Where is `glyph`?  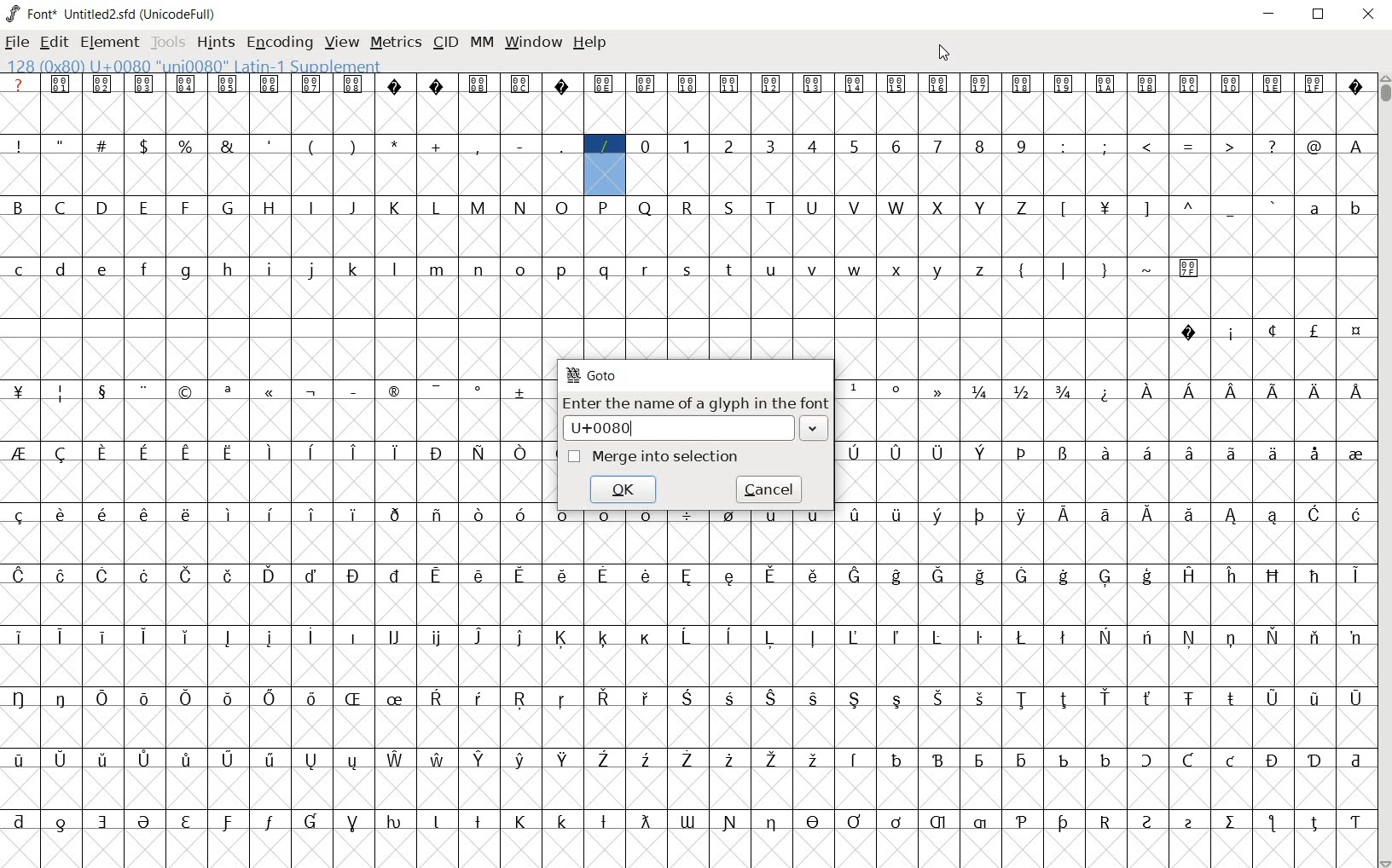
glyph is located at coordinates (227, 392).